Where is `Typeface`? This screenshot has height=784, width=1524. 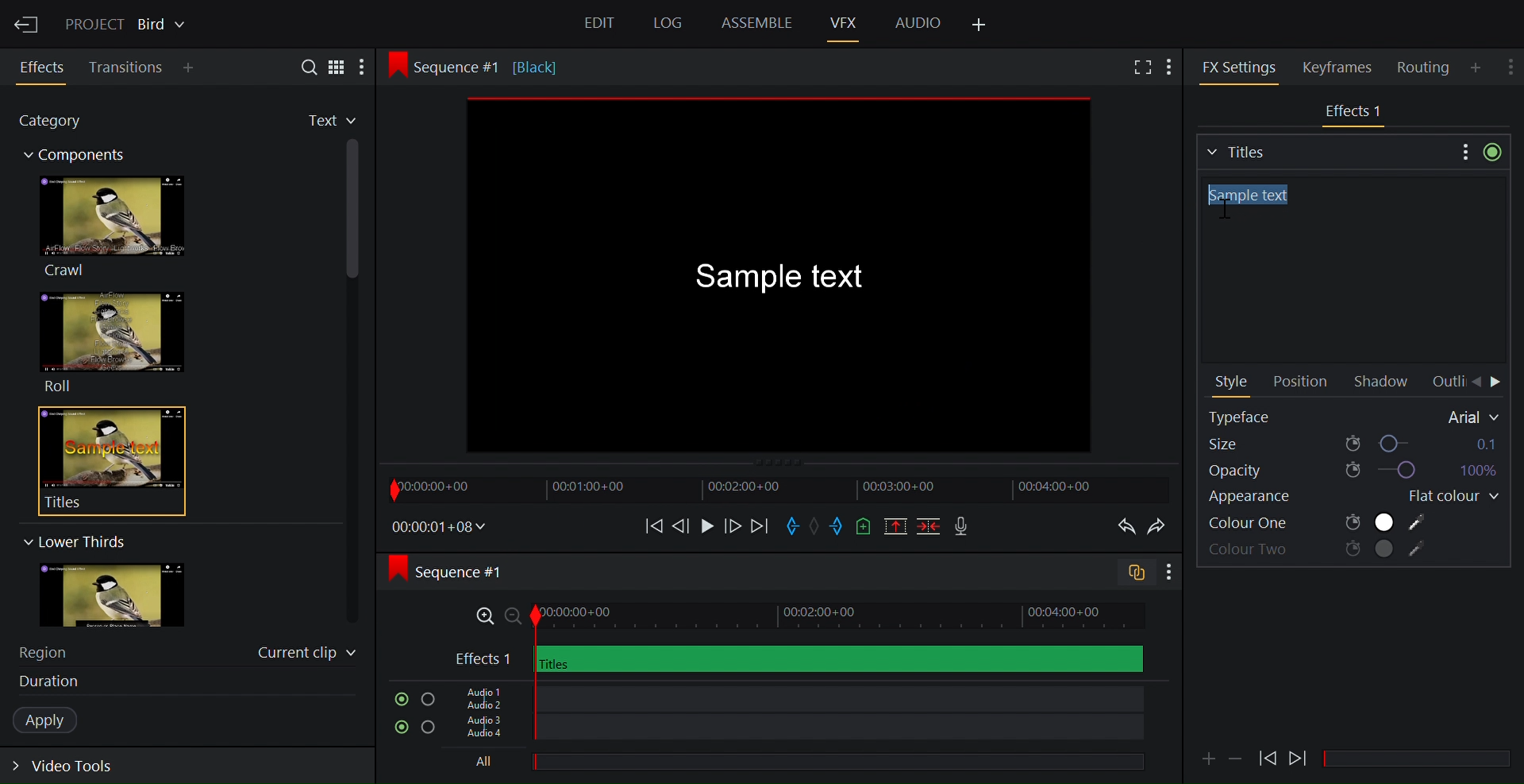
Typeface is located at coordinates (1355, 417).